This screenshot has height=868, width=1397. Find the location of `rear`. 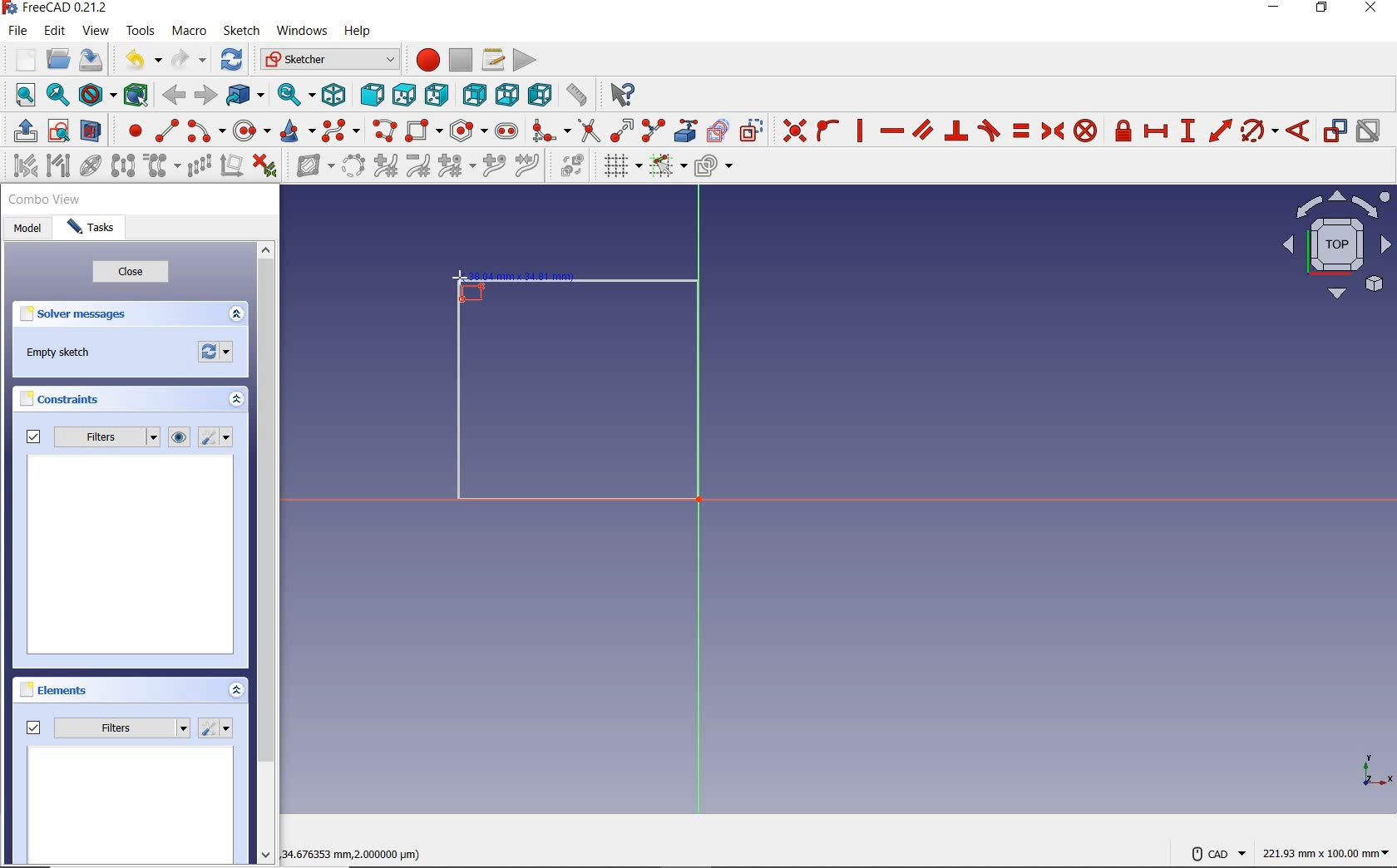

rear is located at coordinates (474, 95).